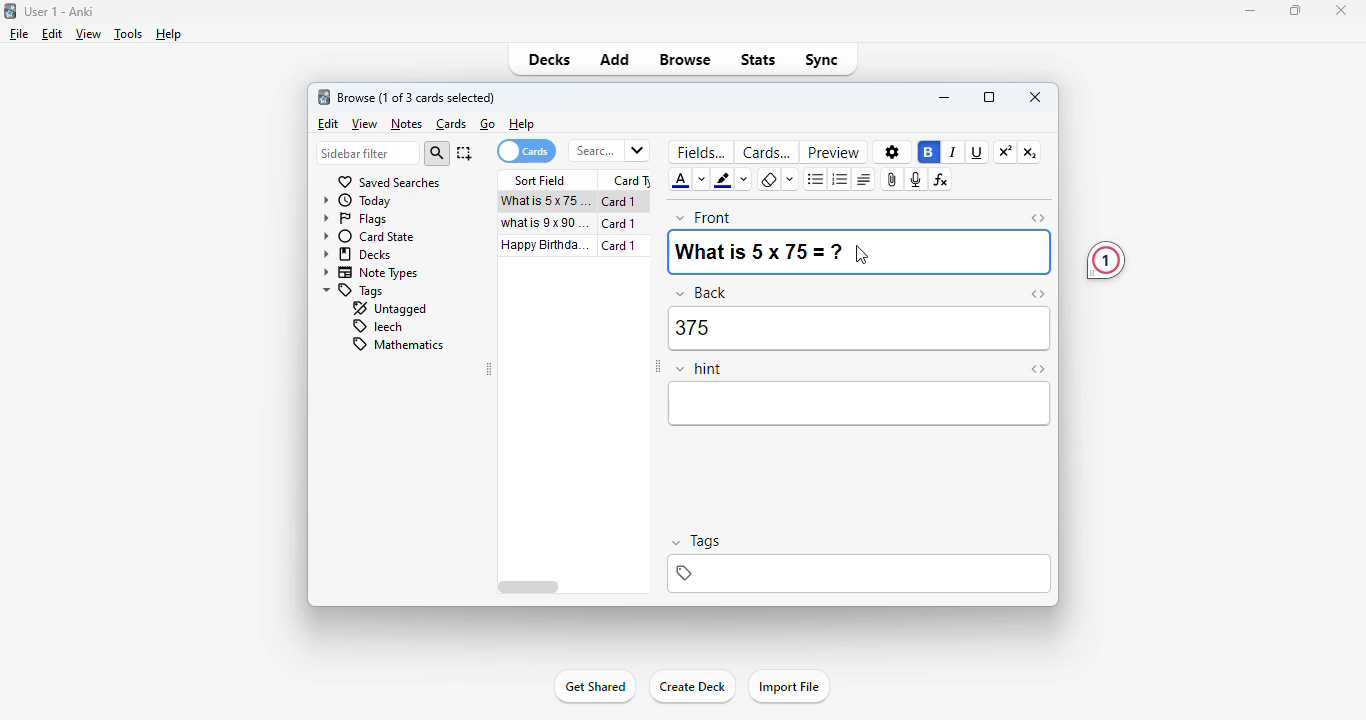 The width and height of the screenshot is (1366, 720). Describe the element at coordinates (859, 329) in the screenshot. I see `375` at that location.